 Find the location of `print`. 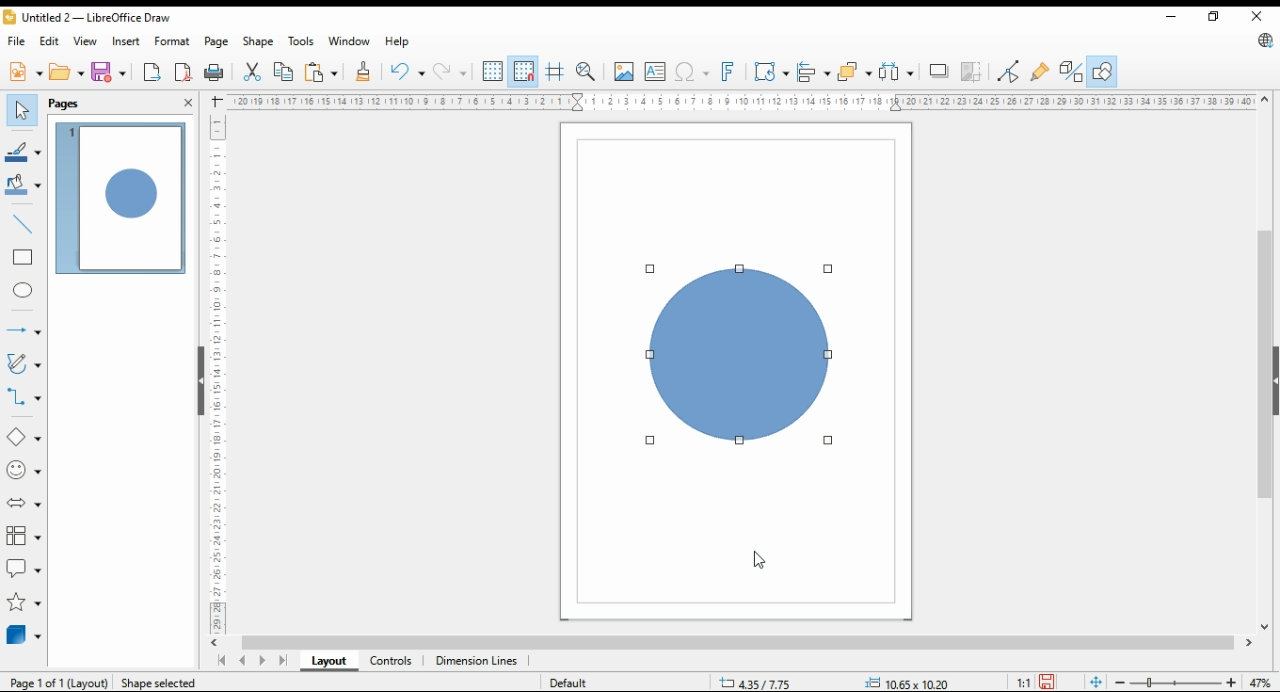

print is located at coordinates (216, 73).